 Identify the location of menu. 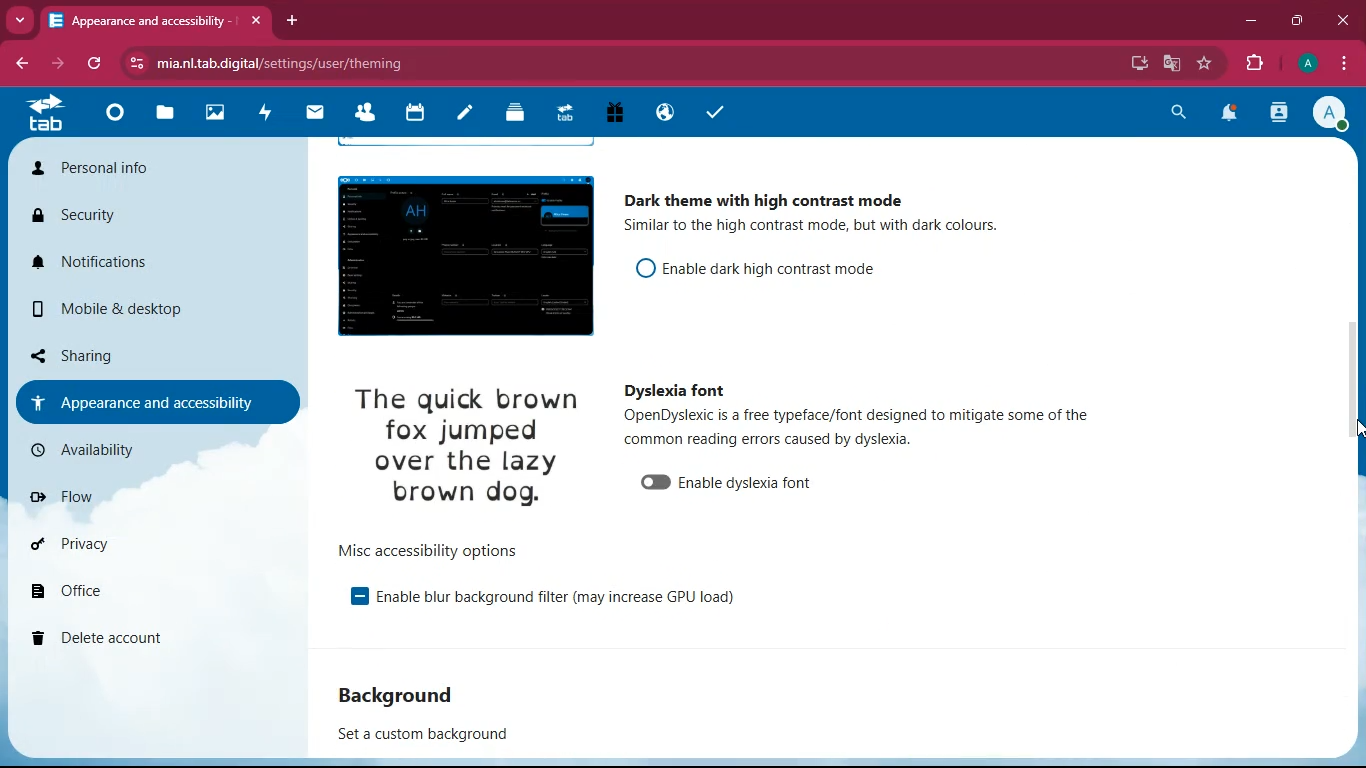
(1338, 63).